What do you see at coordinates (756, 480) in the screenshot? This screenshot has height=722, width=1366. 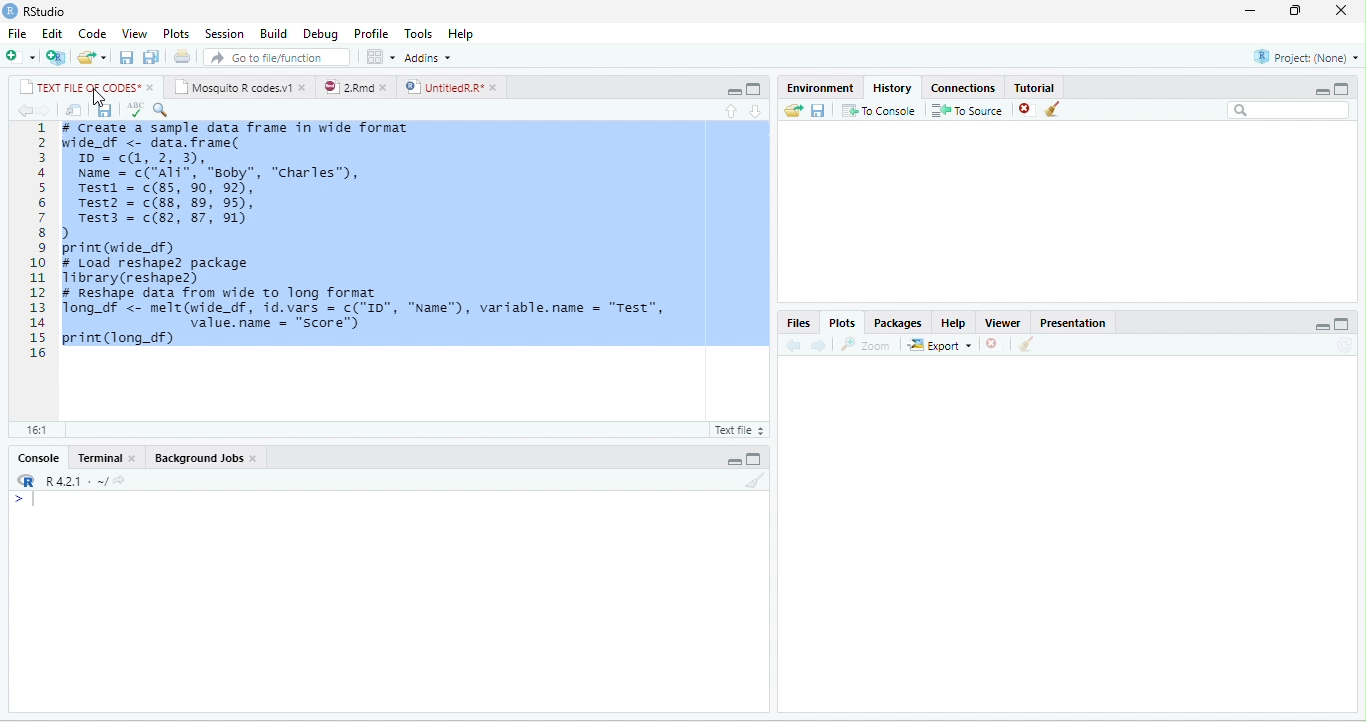 I see `clear` at bounding box center [756, 480].